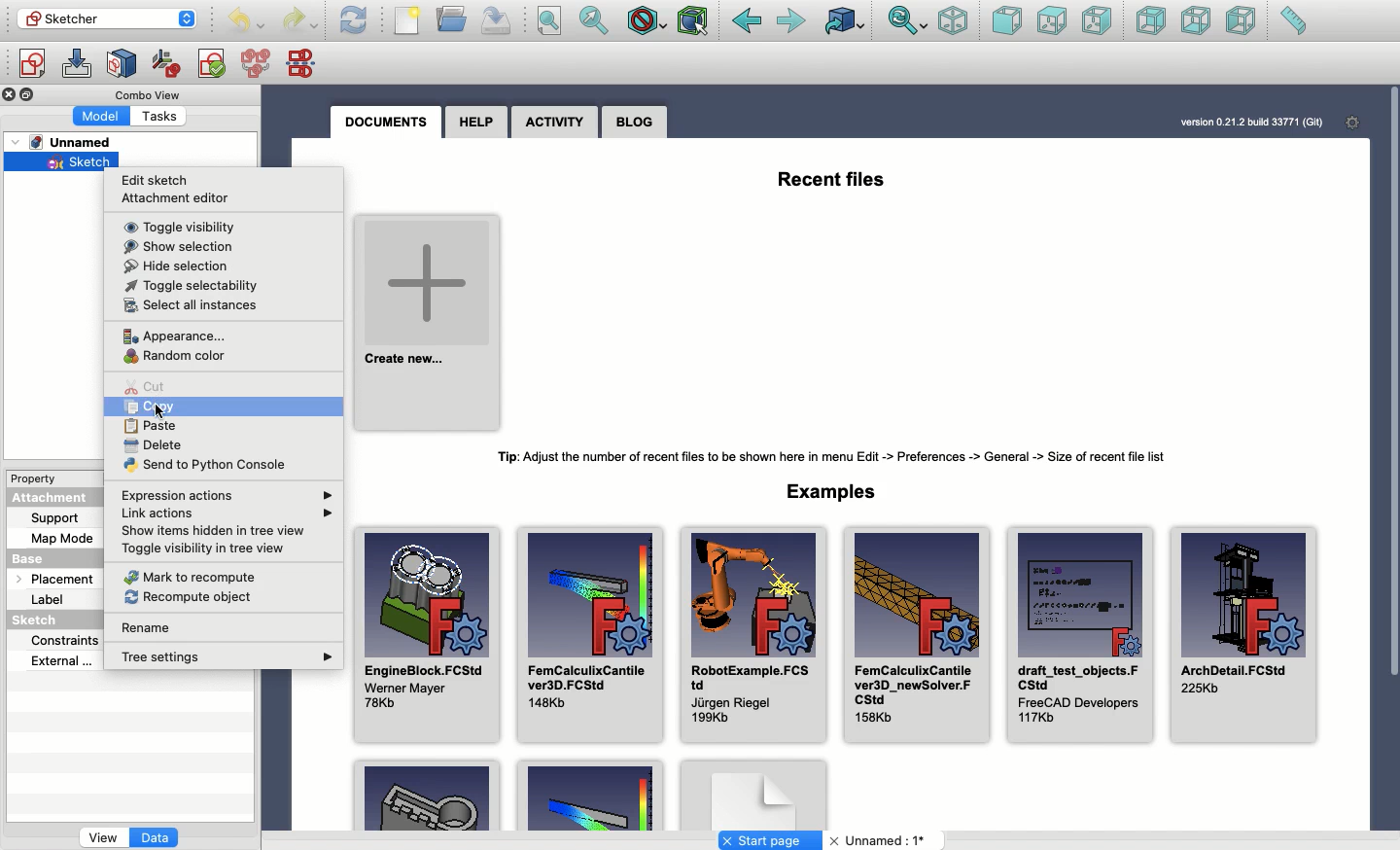 This screenshot has height=850, width=1400. Describe the element at coordinates (305, 62) in the screenshot. I see `Mirror sketch` at that location.